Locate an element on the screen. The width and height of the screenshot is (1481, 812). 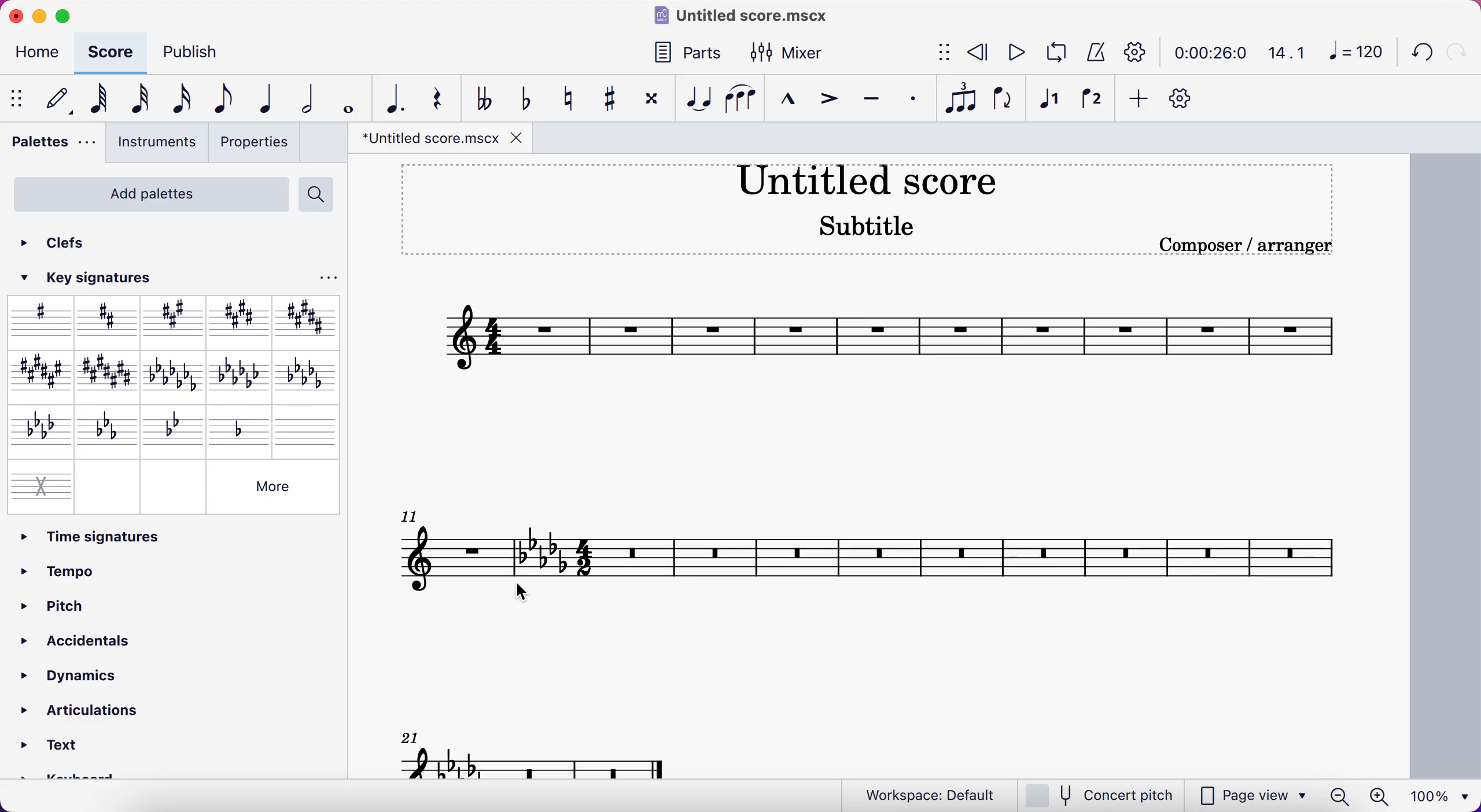
workspace: default is located at coordinates (918, 793).